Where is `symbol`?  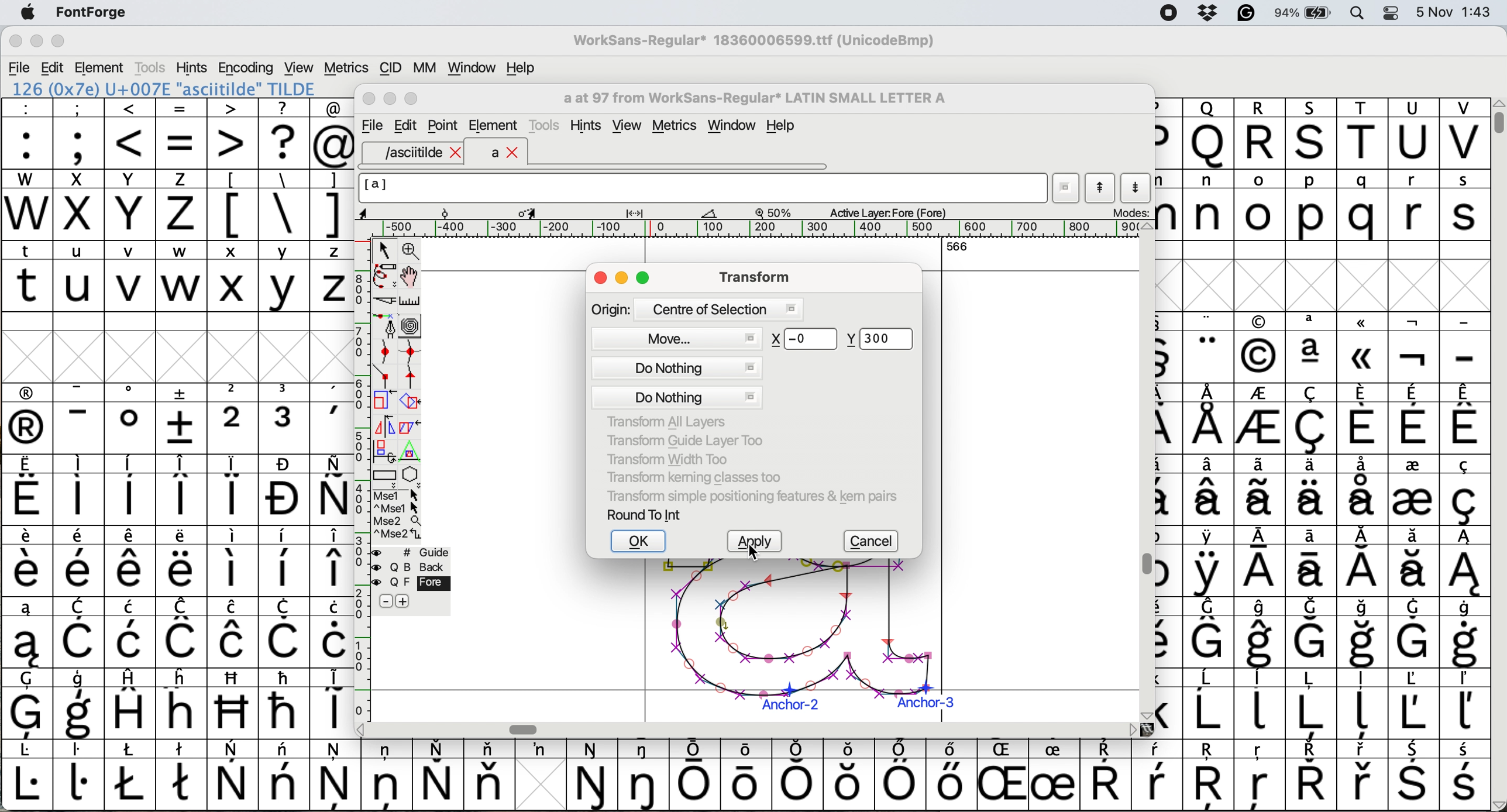
symbol is located at coordinates (1209, 632).